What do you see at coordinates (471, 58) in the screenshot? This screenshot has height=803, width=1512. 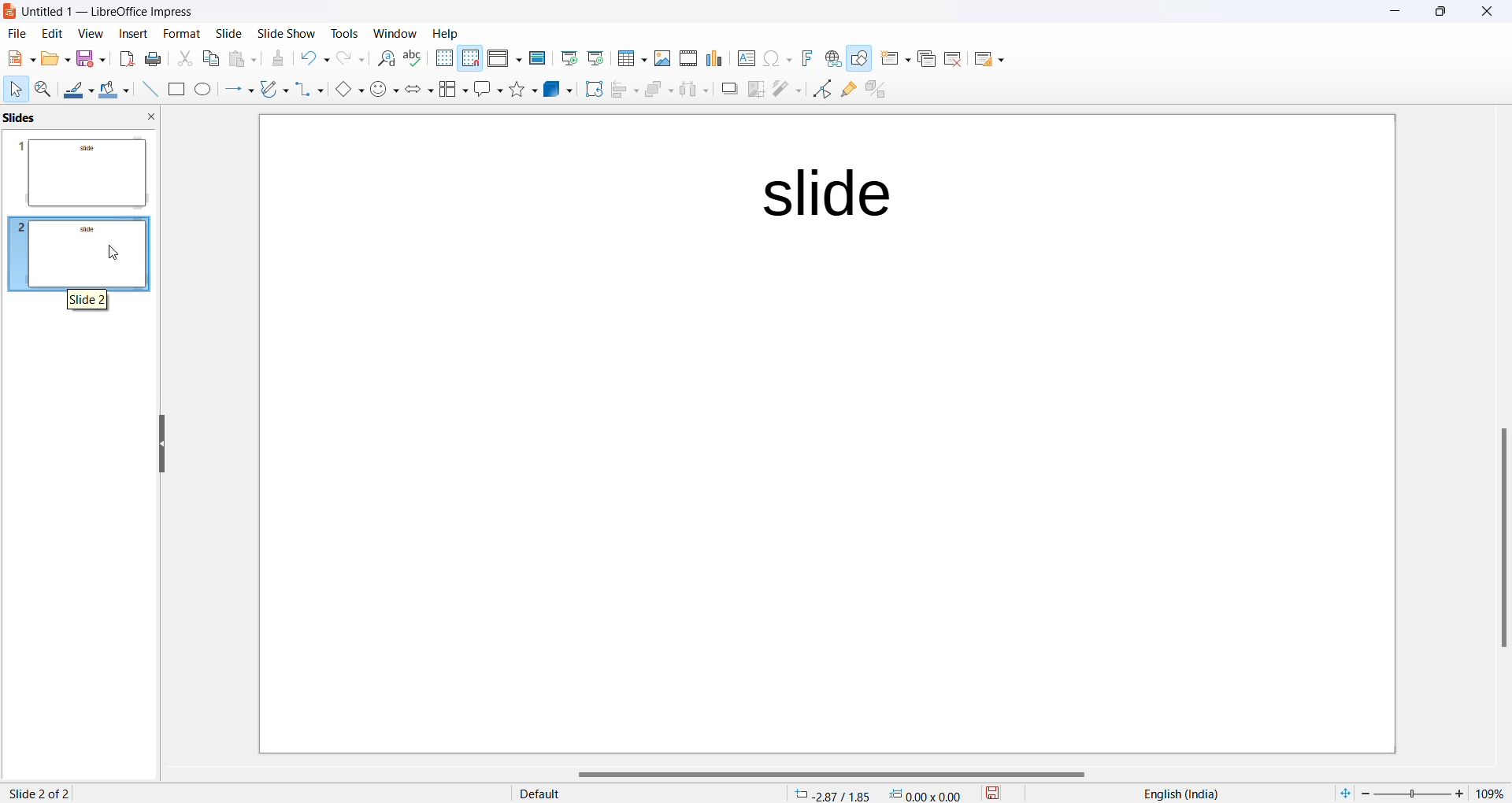 I see `Snap to grid` at bounding box center [471, 58].